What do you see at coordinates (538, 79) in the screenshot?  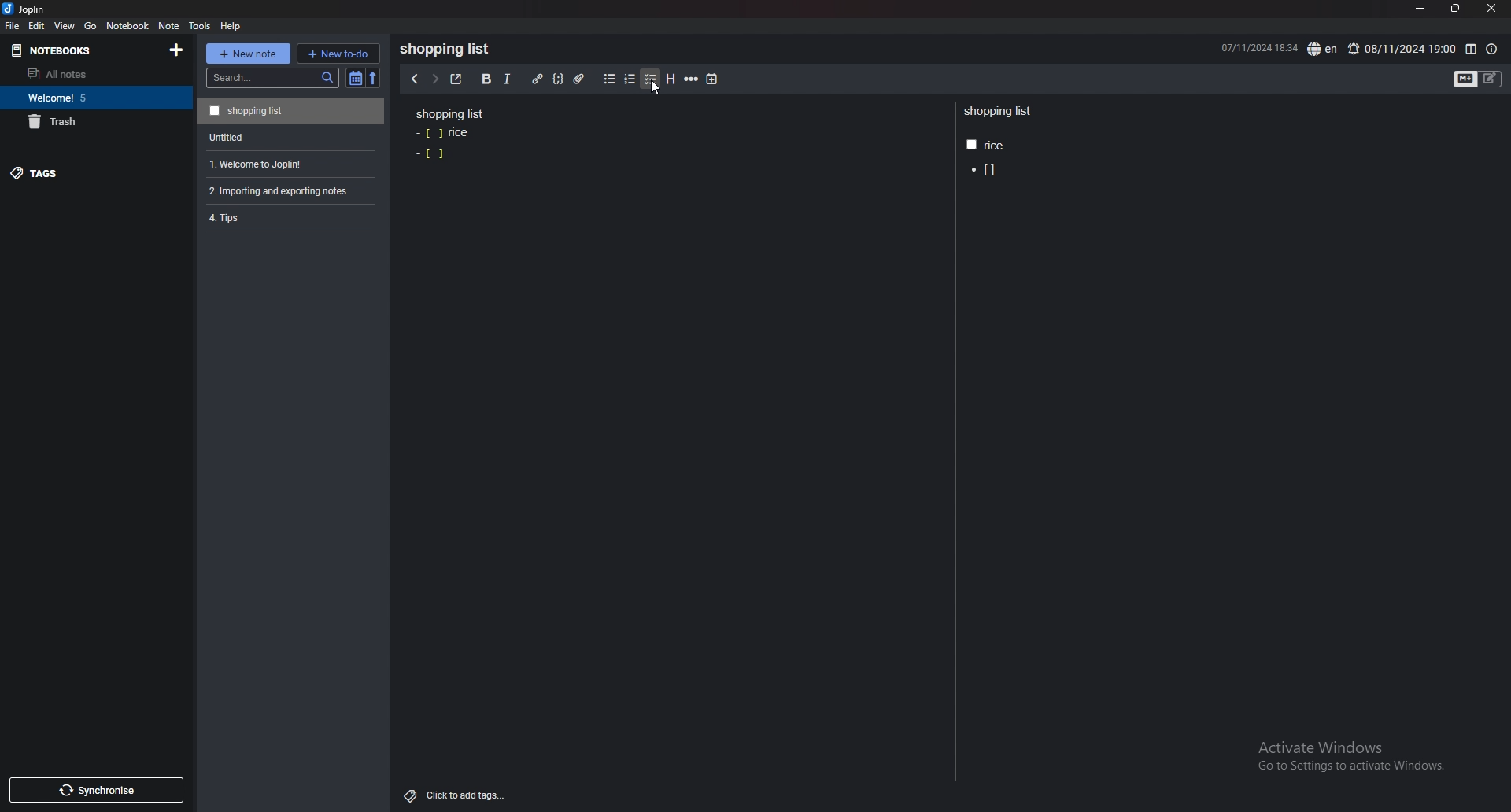 I see `hyperlink` at bounding box center [538, 79].